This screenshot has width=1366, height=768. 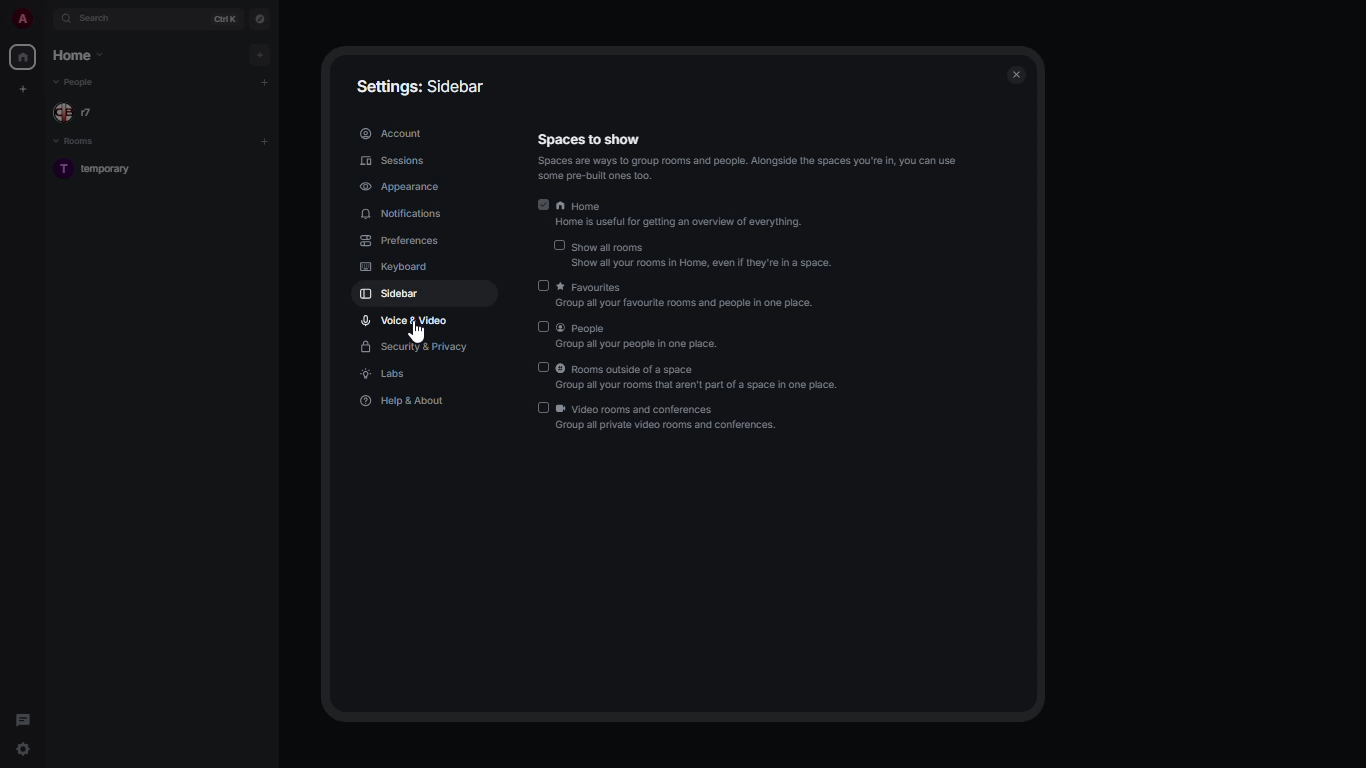 I want to click on home, so click(x=80, y=55).